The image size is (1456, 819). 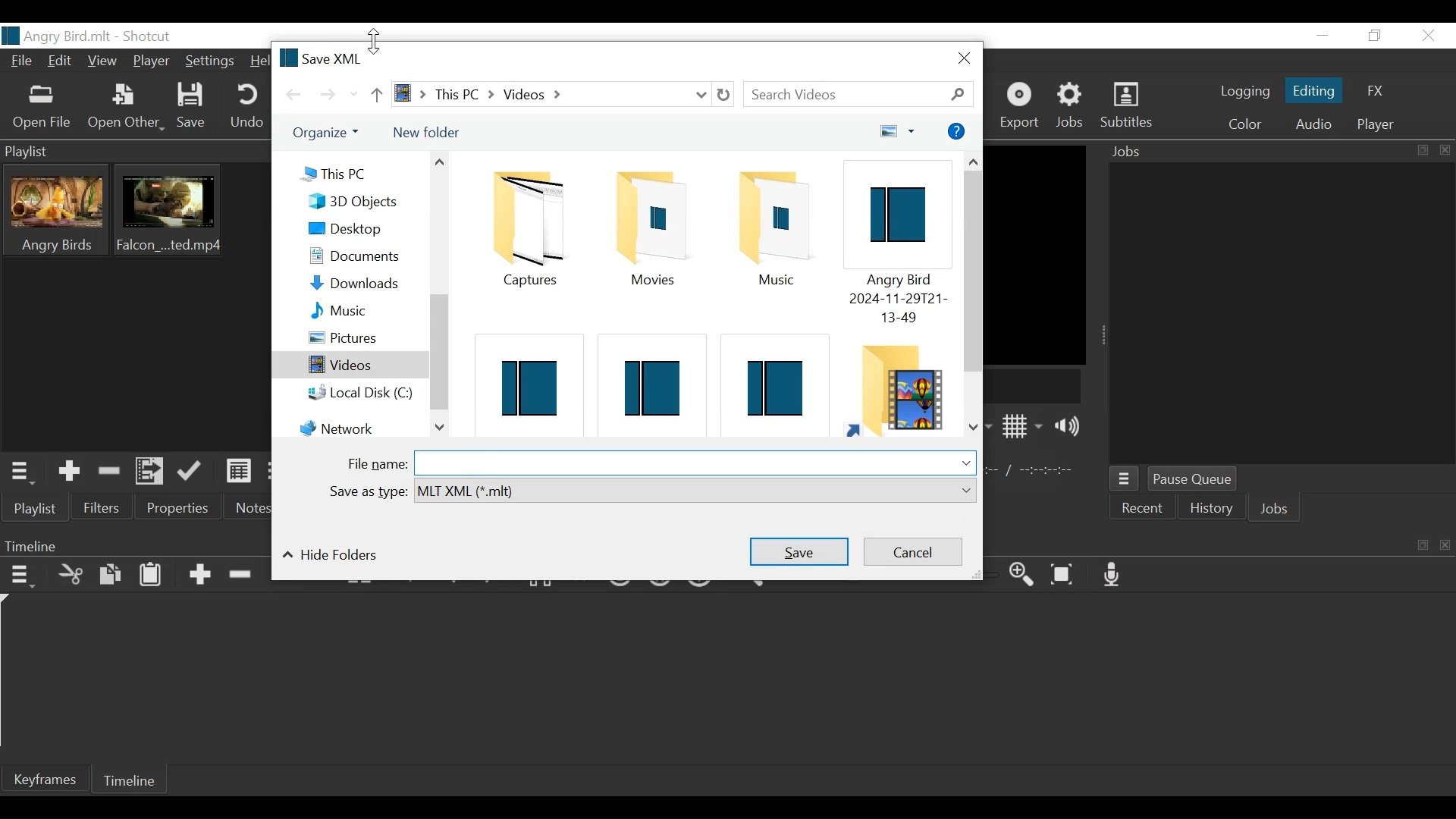 I want to click on Save, so click(x=192, y=106).